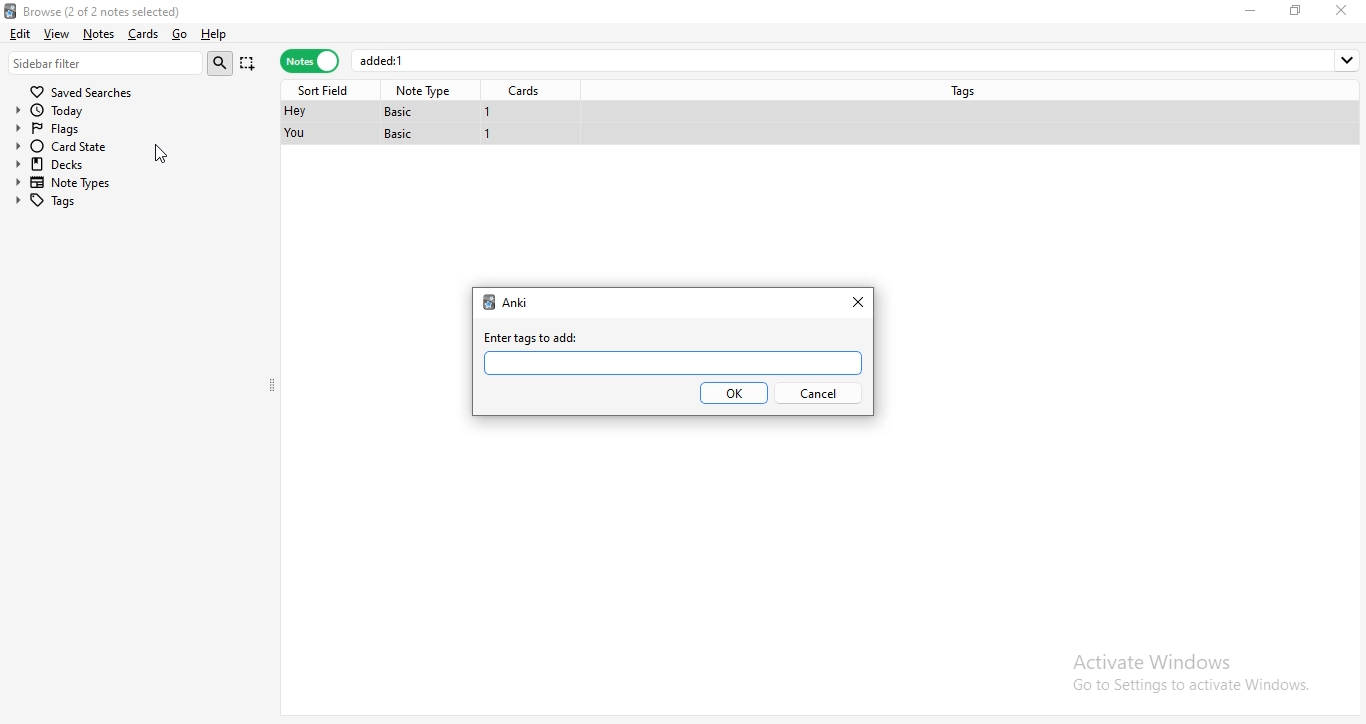 The width and height of the screenshot is (1366, 724). Describe the element at coordinates (85, 89) in the screenshot. I see `saves searches` at that location.